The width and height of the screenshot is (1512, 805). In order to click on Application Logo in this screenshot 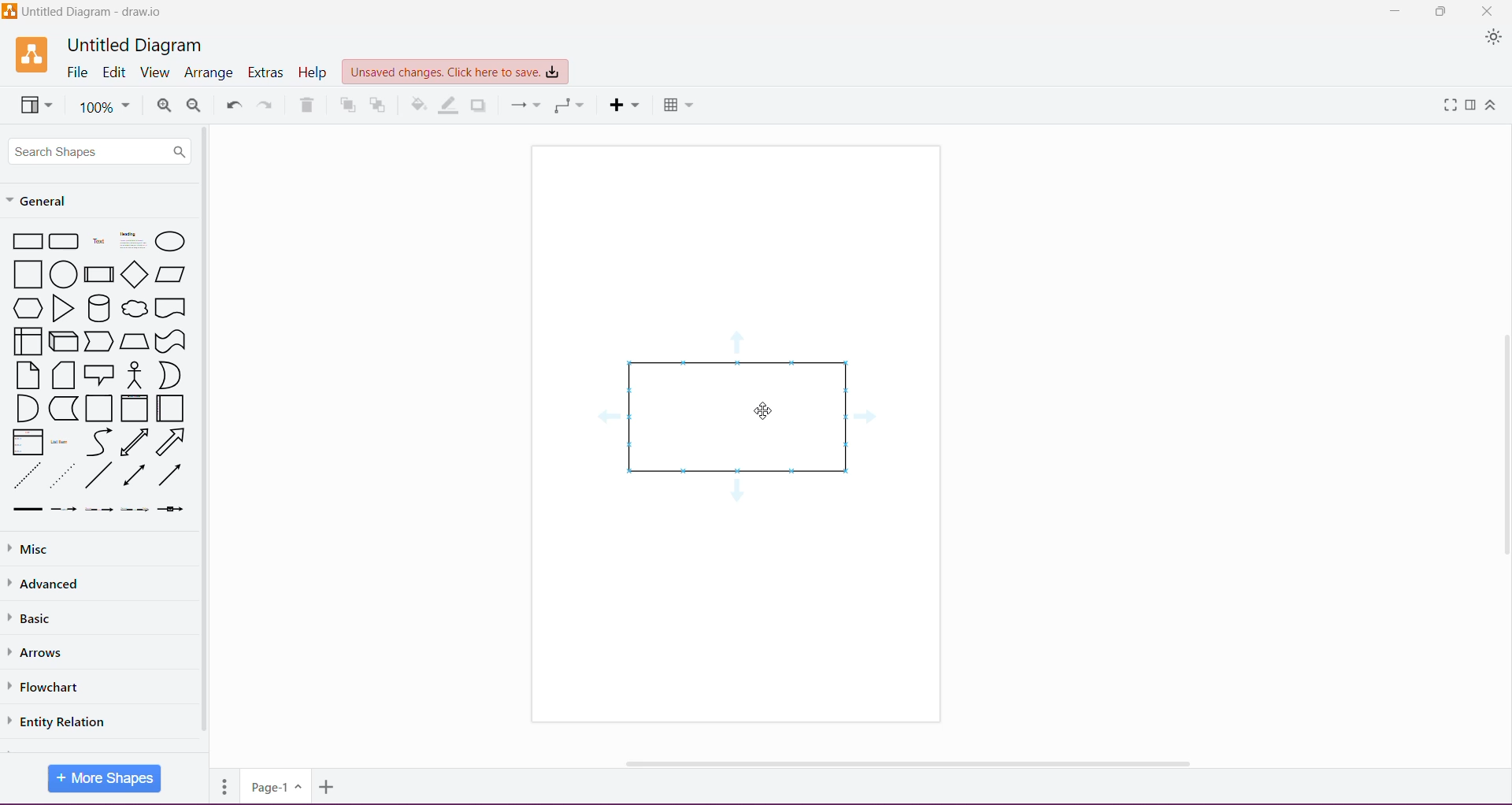, I will do `click(31, 54)`.